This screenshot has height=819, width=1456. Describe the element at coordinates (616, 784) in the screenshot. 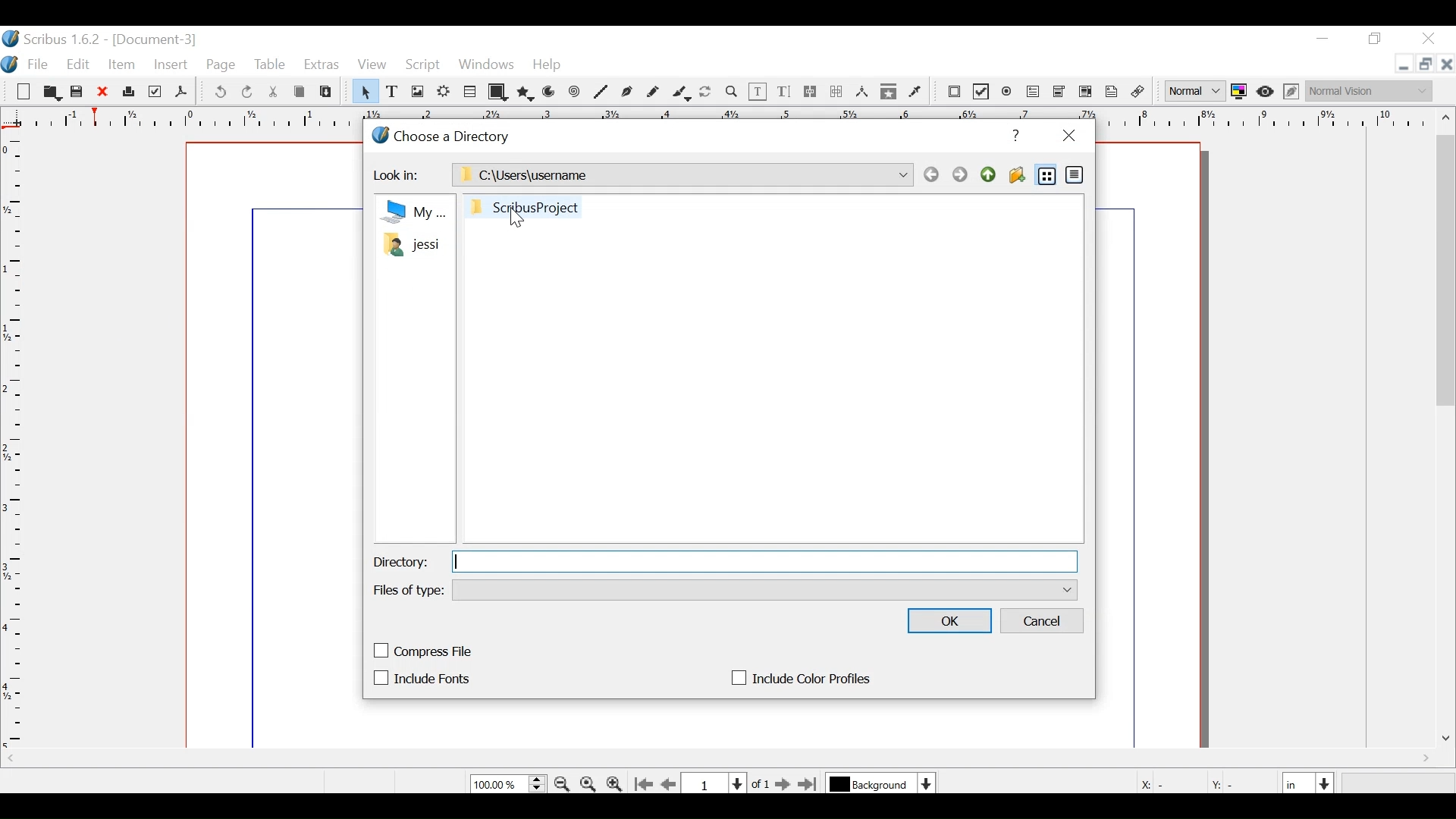

I see `Zoom out` at that location.